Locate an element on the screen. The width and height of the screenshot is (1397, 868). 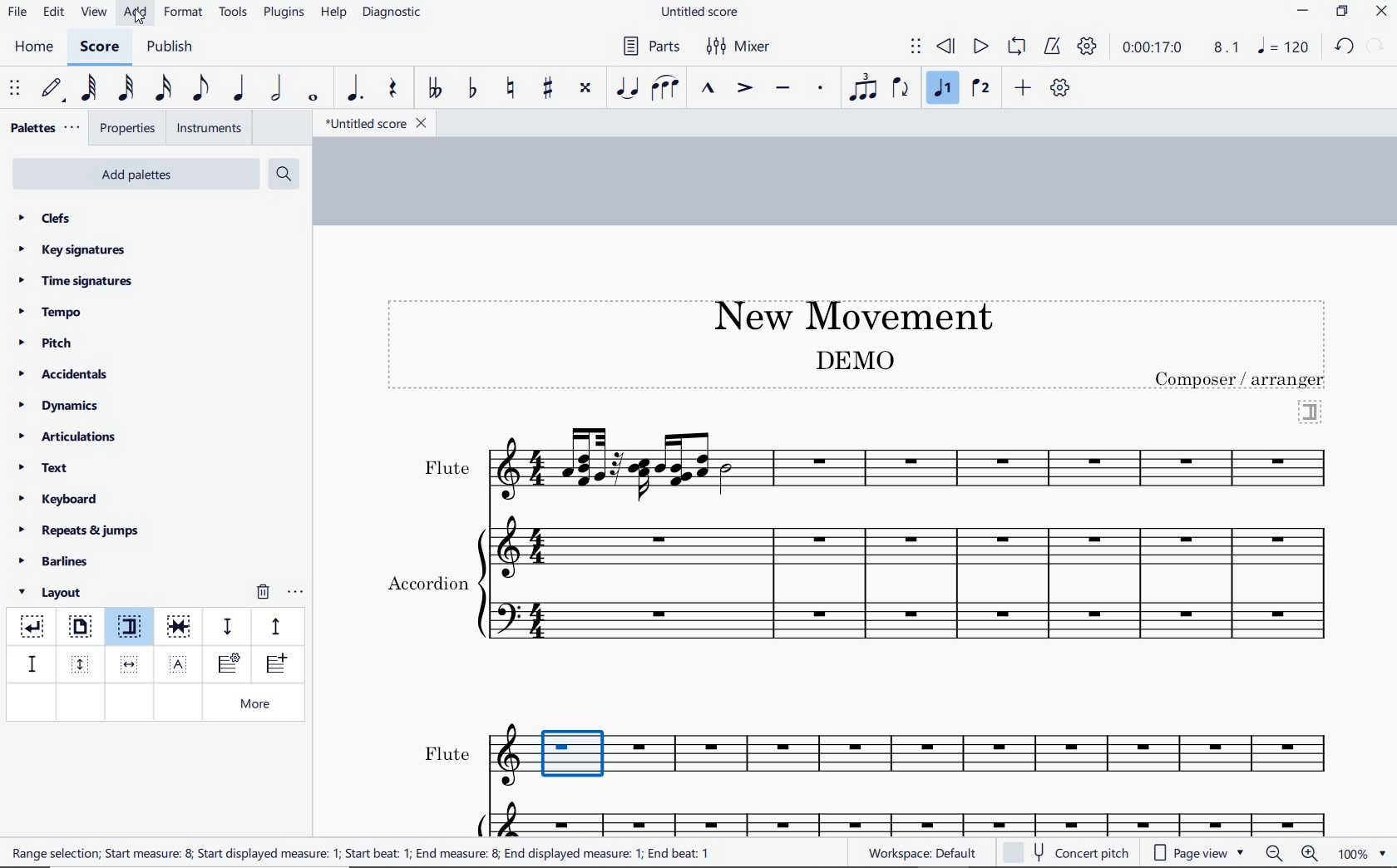
accent is located at coordinates (744, 88).